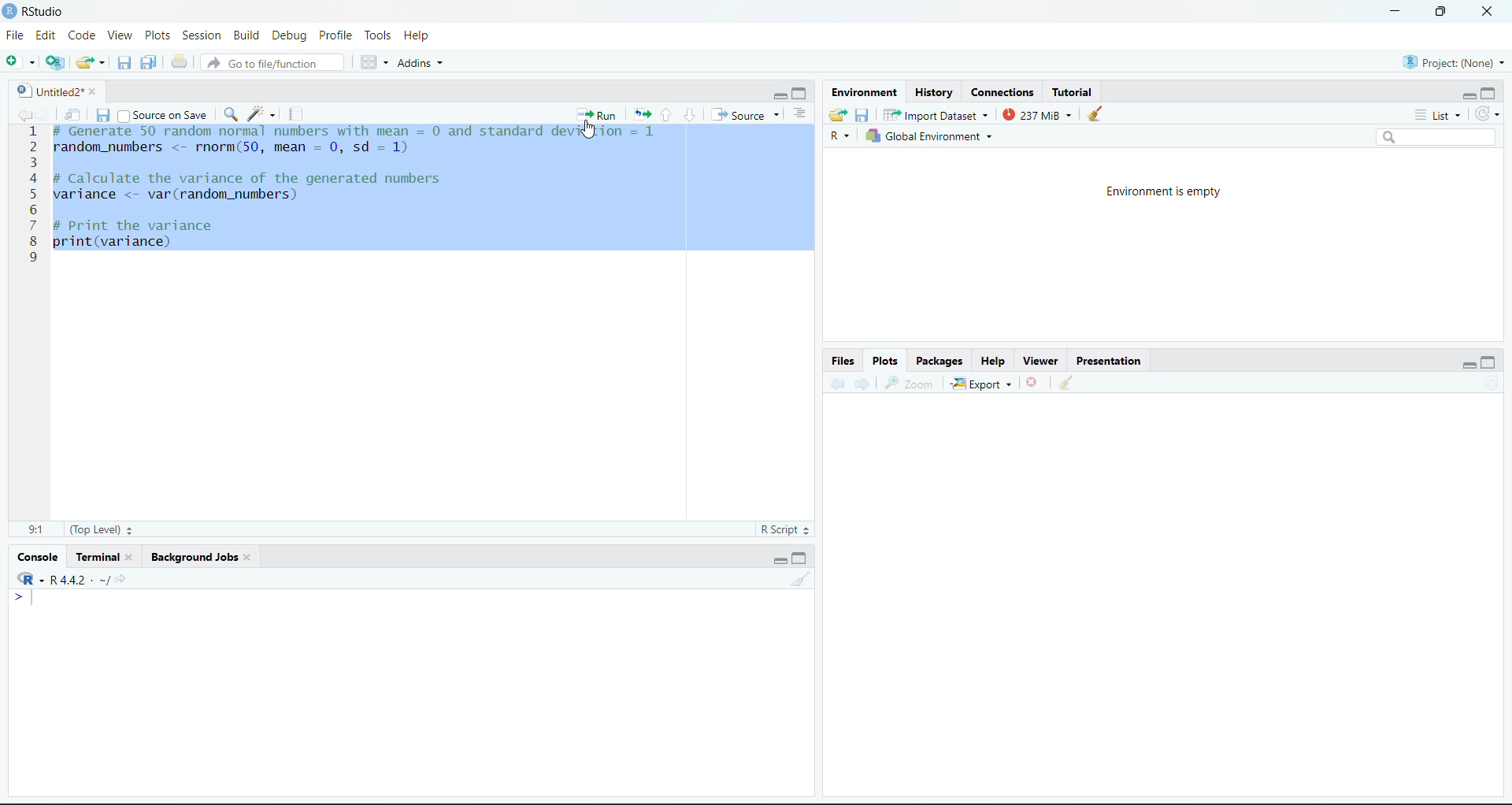  What do you see at coordinates (419, 63) in the screenshot?
I see `Addins` at bounding box center [419, 63].